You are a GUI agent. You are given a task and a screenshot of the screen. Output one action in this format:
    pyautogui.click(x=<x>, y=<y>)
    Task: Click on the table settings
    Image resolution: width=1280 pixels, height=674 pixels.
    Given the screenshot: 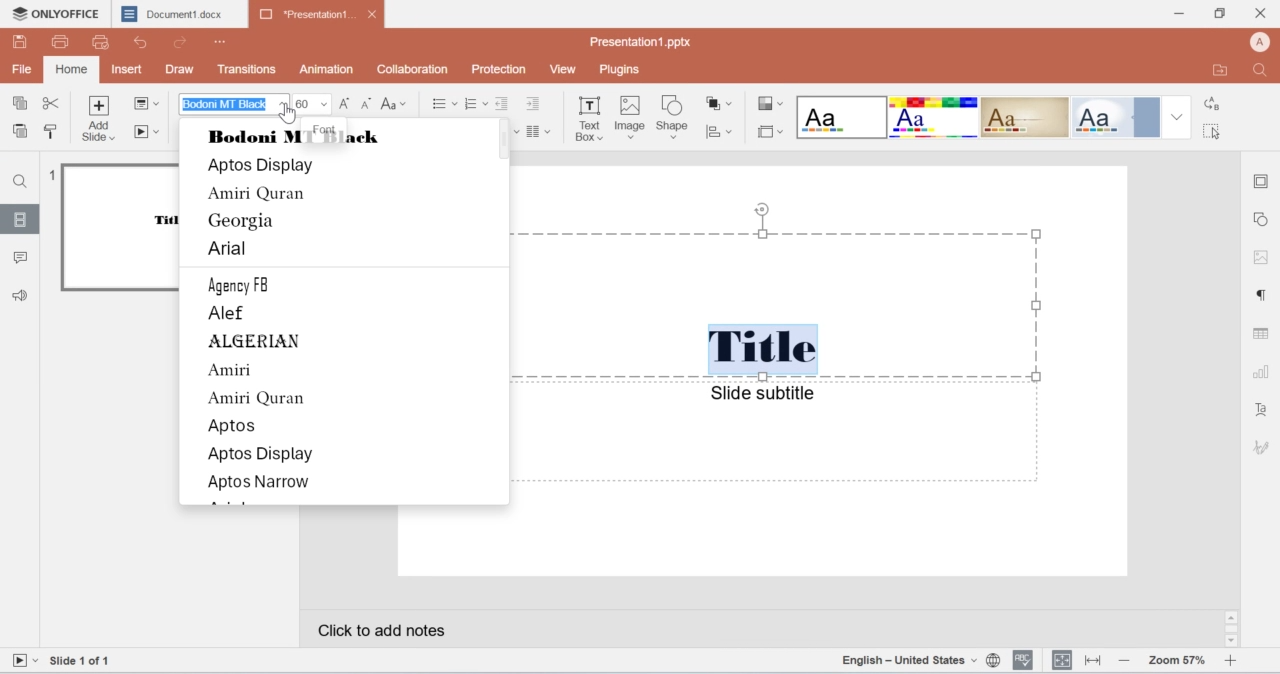 What is the action you would take?
    pyautogui.click(x=1262, y=335)
    